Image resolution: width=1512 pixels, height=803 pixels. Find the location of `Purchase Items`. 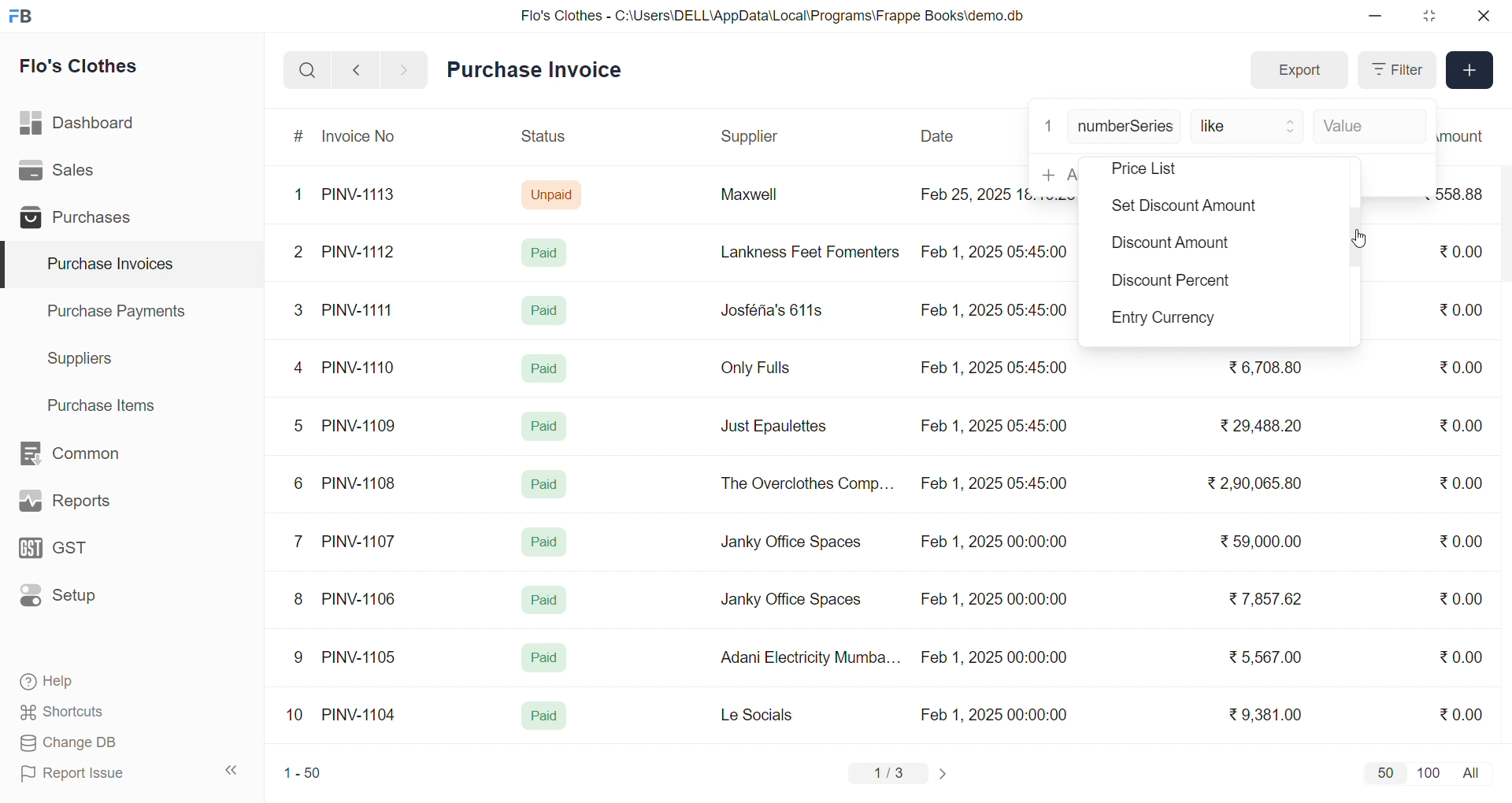

Purchase Items is located at coordinates (107, 403).